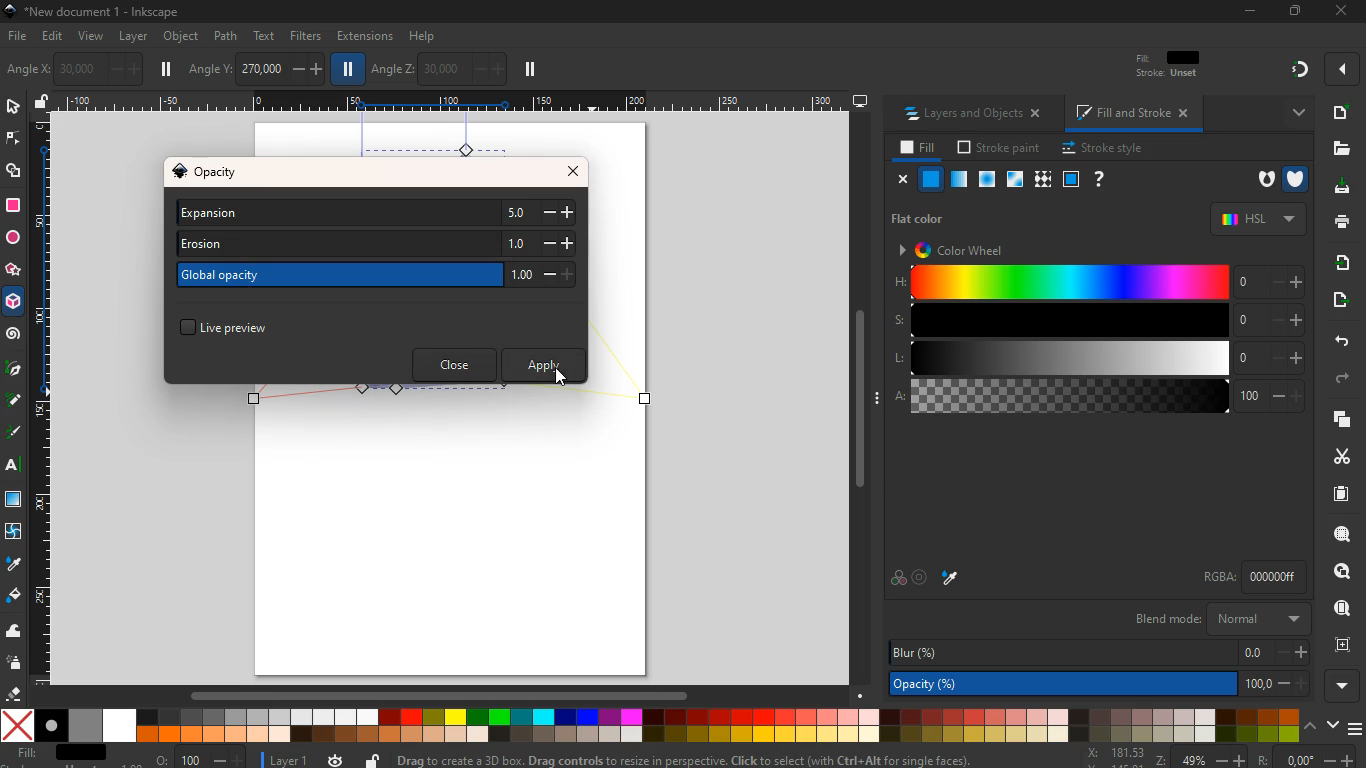  I want to click on help, so click(424, 34).